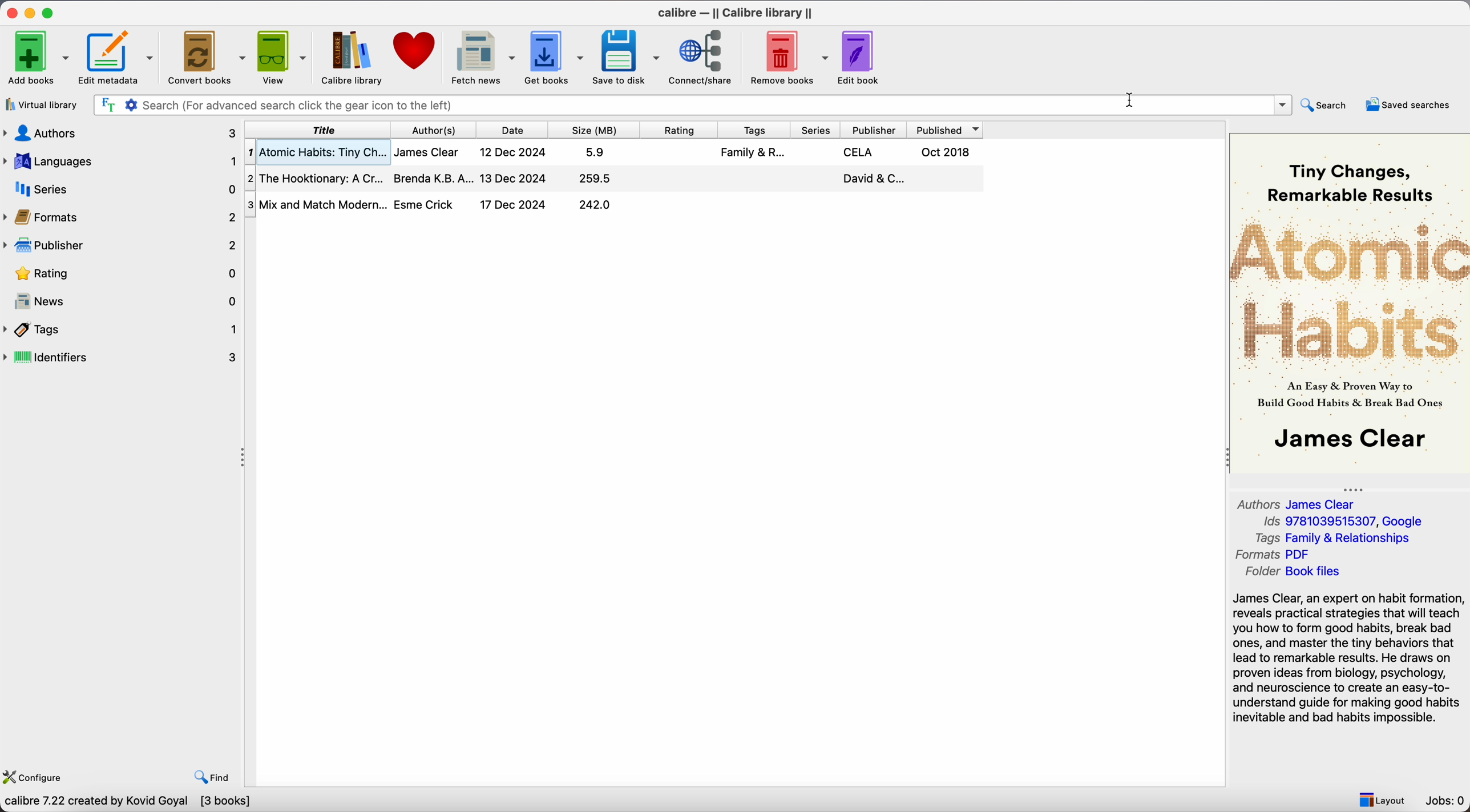  Describe the element at coordinates (599, 130) in the screenshot. I see `size` at that location.